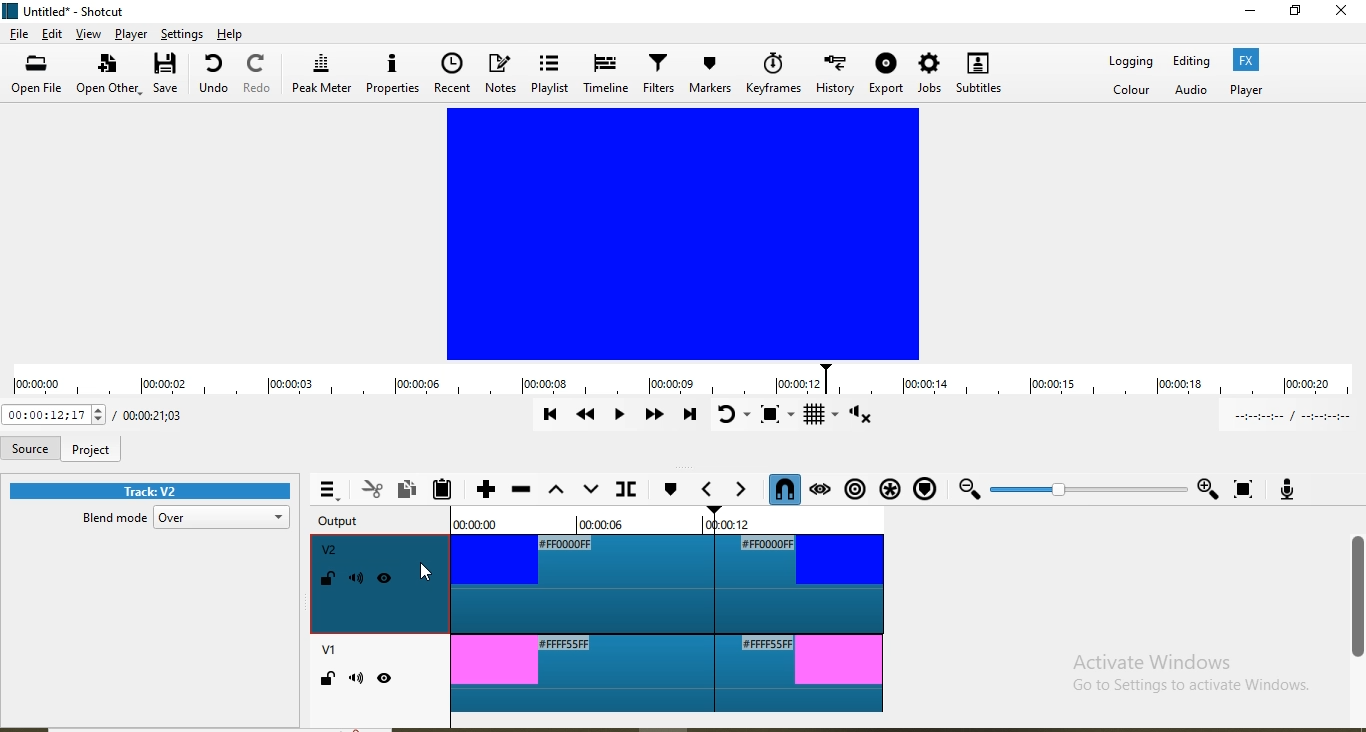  What do you see at coordinates (823, 417) in the screenshot?
I see `Toggle grid display ` at bounding box center [823, 417].